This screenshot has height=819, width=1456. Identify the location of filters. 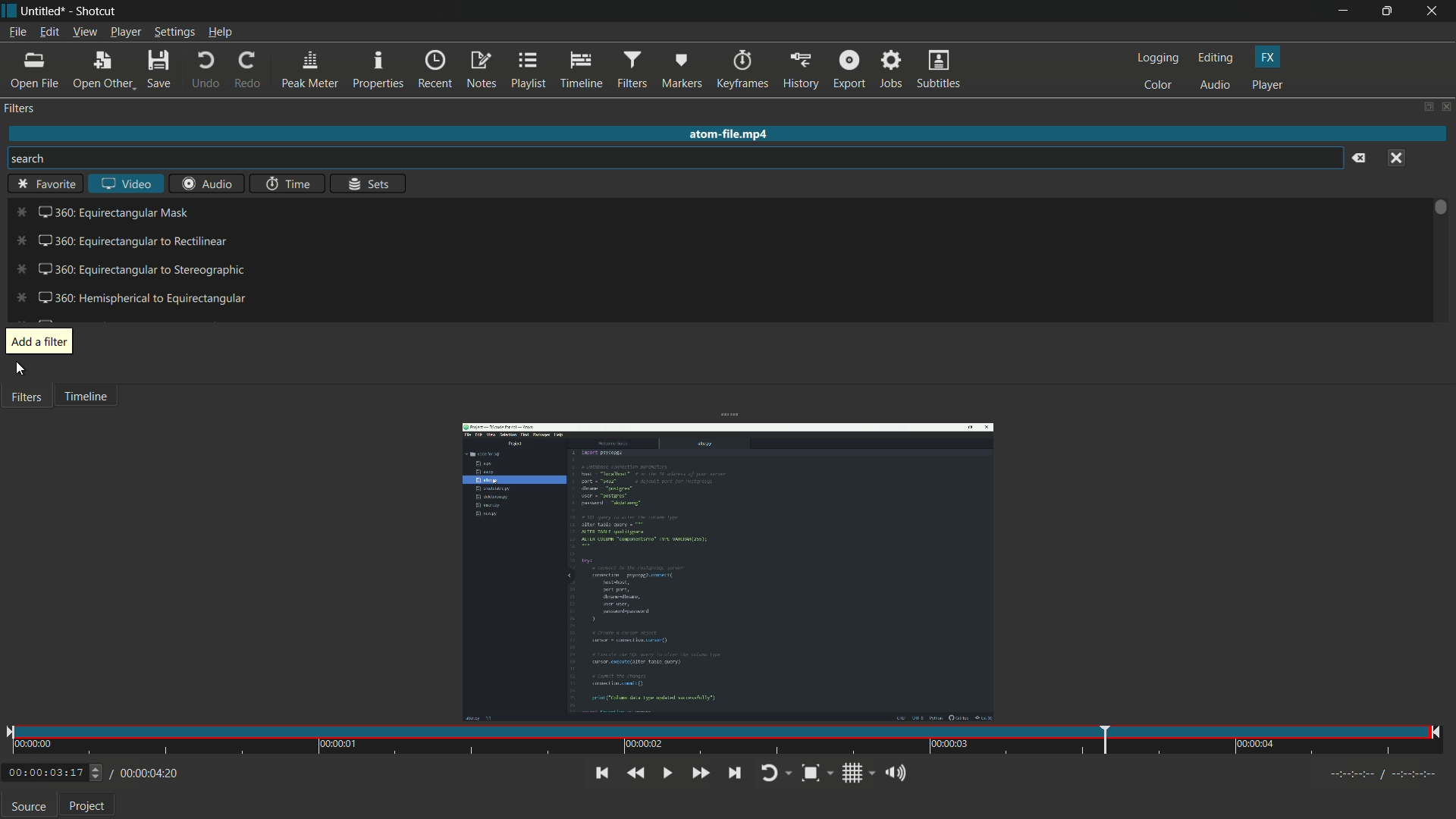
(20, 108).